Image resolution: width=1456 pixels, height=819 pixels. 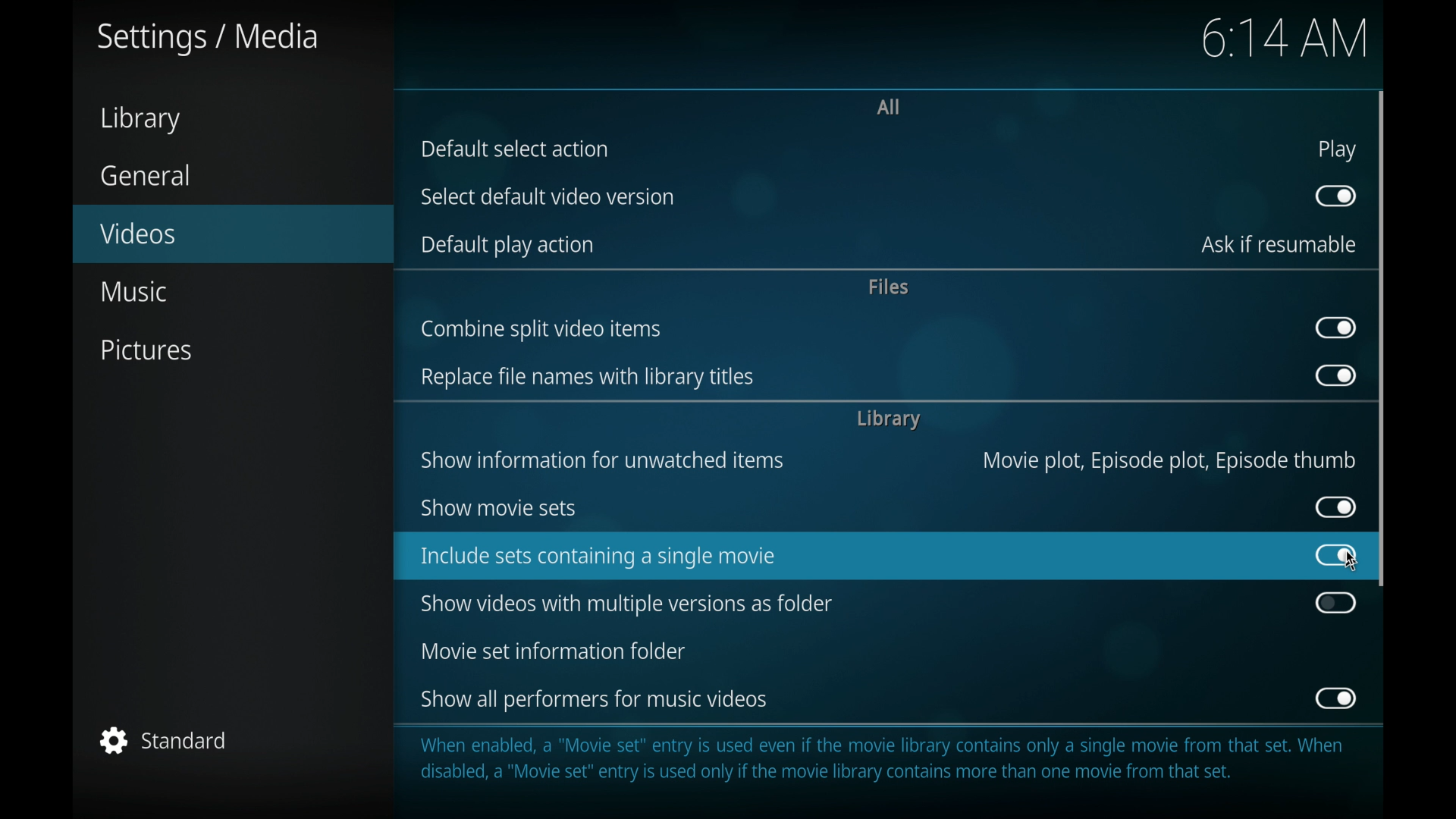 I want to click on music, so click(x=135, y=290).